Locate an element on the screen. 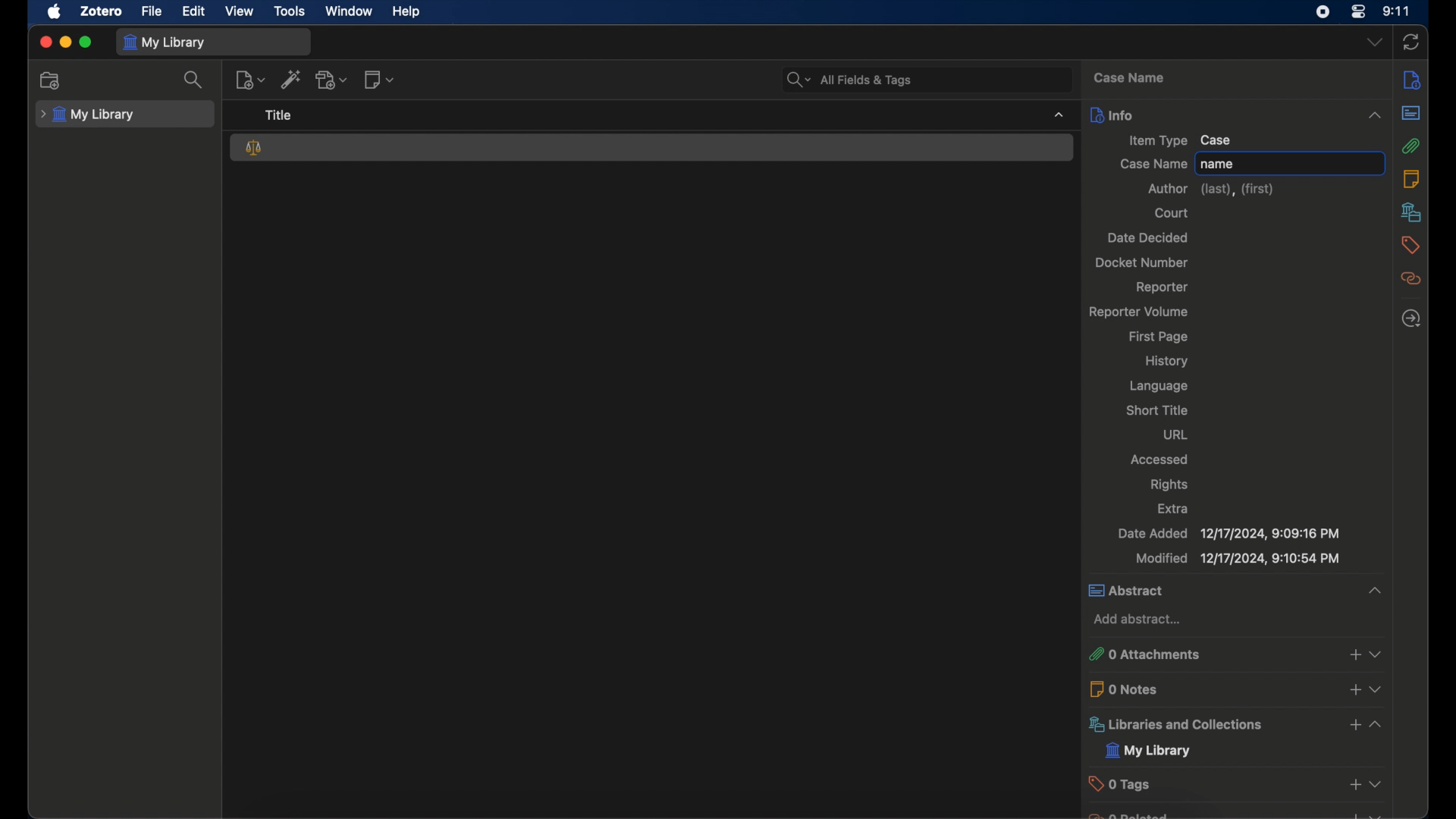 The height and width of the screenshot is (819, 1456). rights is located at coordinates (1169, 485).